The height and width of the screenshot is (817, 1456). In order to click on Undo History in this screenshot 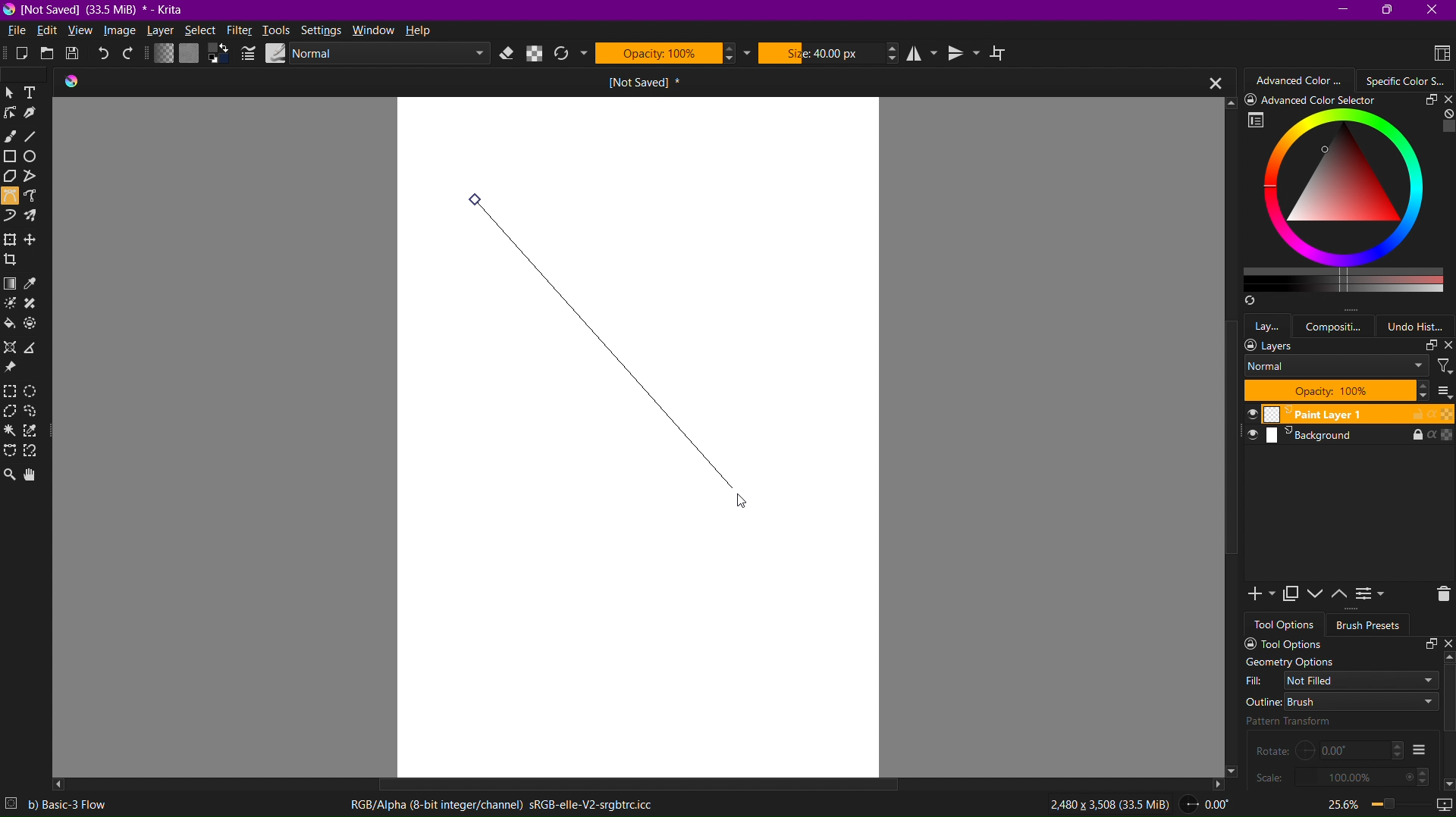, I will do `click(1420, 326)`.